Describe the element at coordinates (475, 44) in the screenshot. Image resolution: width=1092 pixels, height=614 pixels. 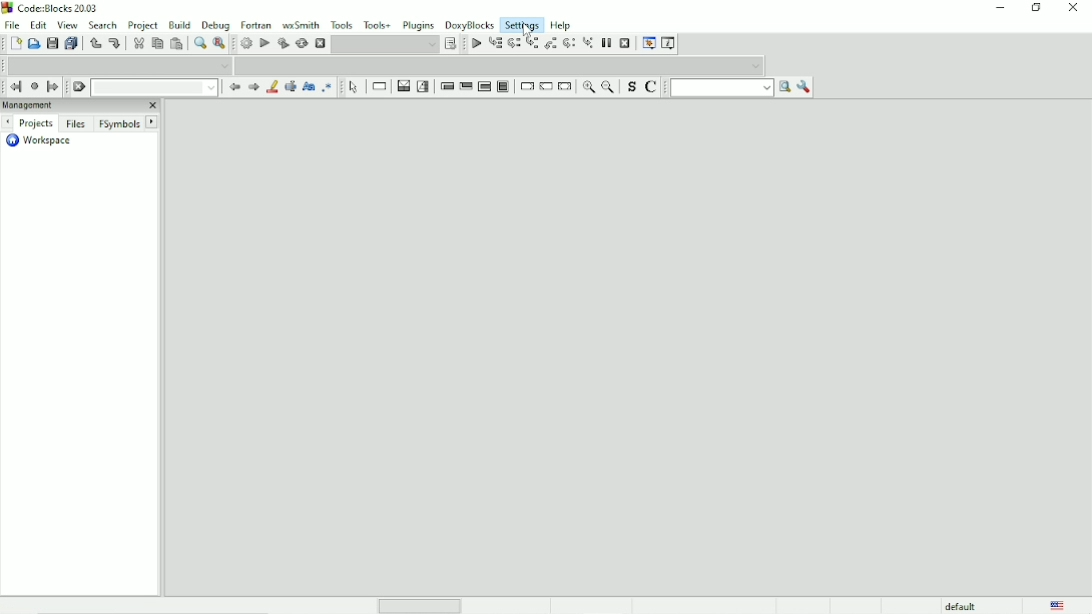
I see `Debug/continue` at that location.